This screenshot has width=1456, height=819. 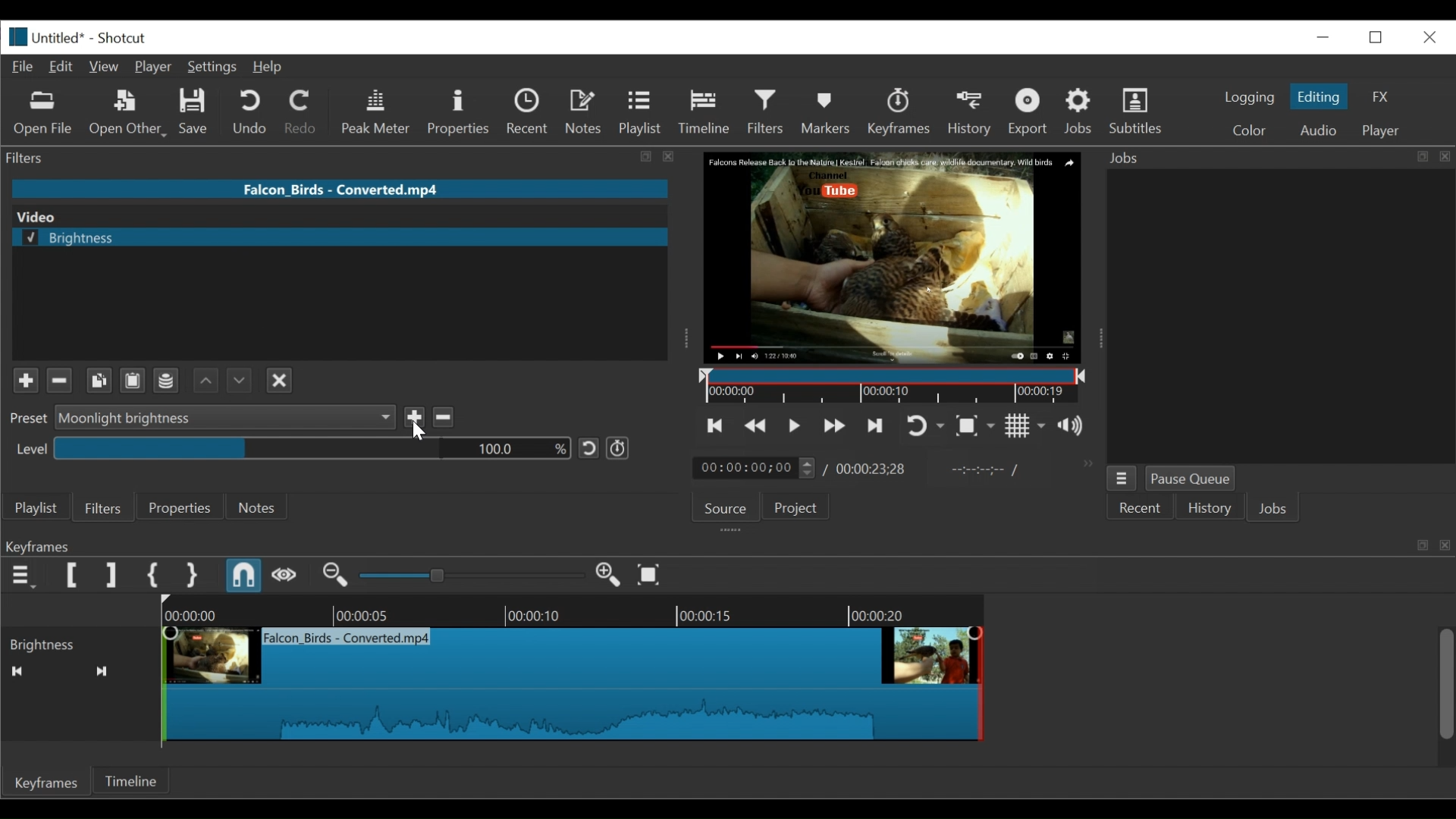 What do you see at coordinates (193, 112) in the screenshot?
I see `Save` at bounding box center [193, 112].